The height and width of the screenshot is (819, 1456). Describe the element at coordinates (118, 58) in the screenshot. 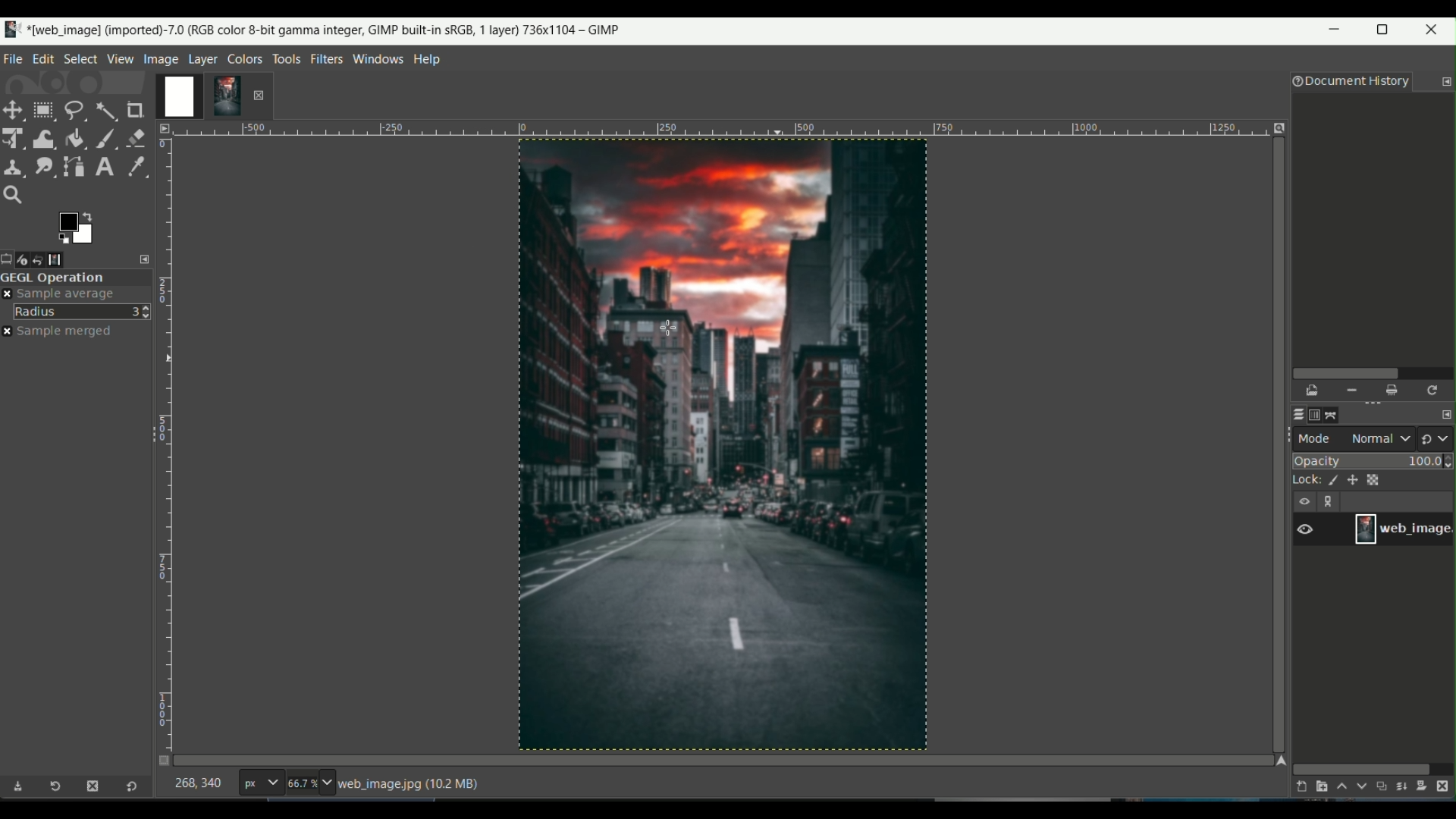

I see `view tab` at that location.